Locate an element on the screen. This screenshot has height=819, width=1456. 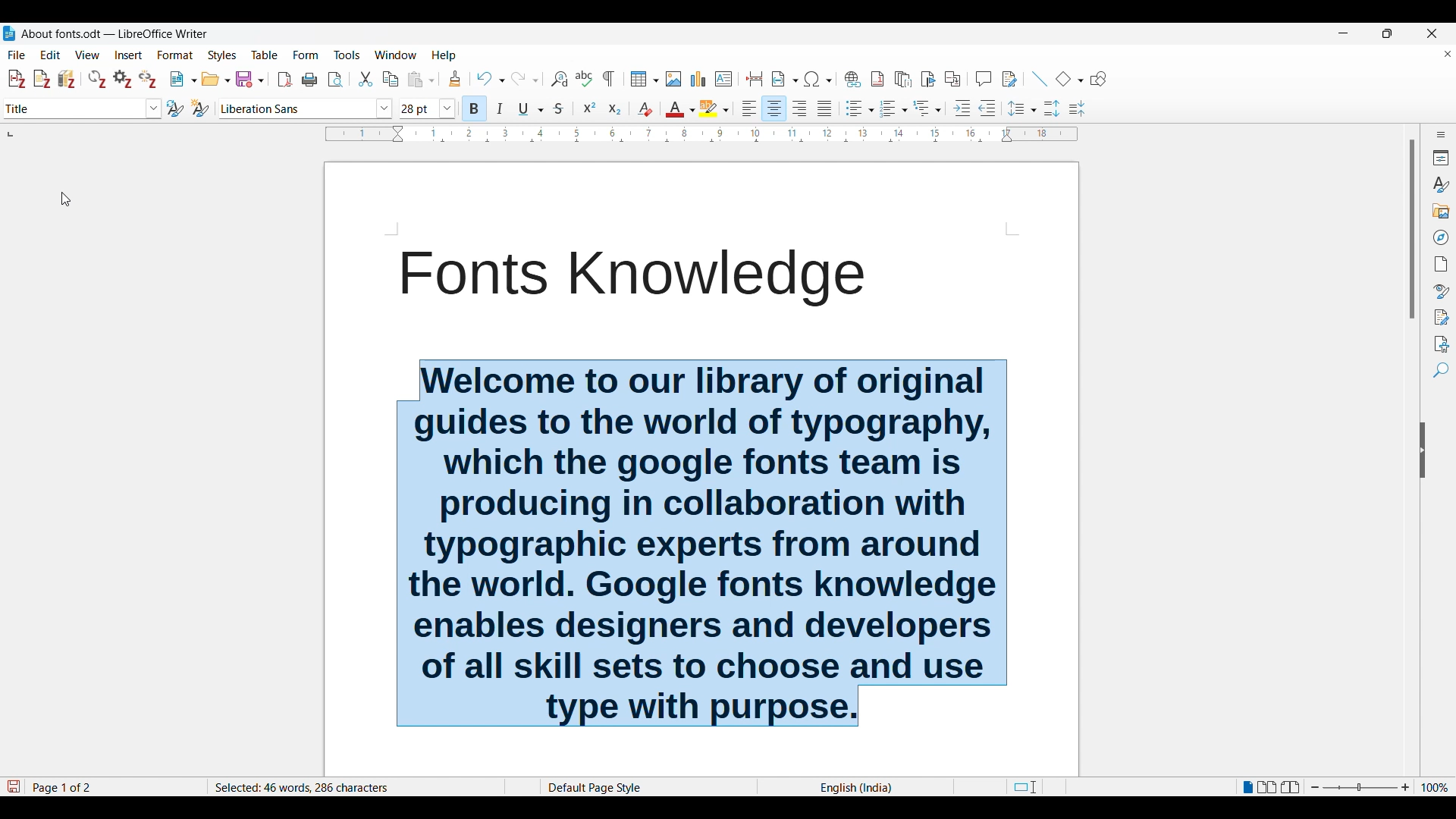
New style from selection is located at coordinates (201, 108).